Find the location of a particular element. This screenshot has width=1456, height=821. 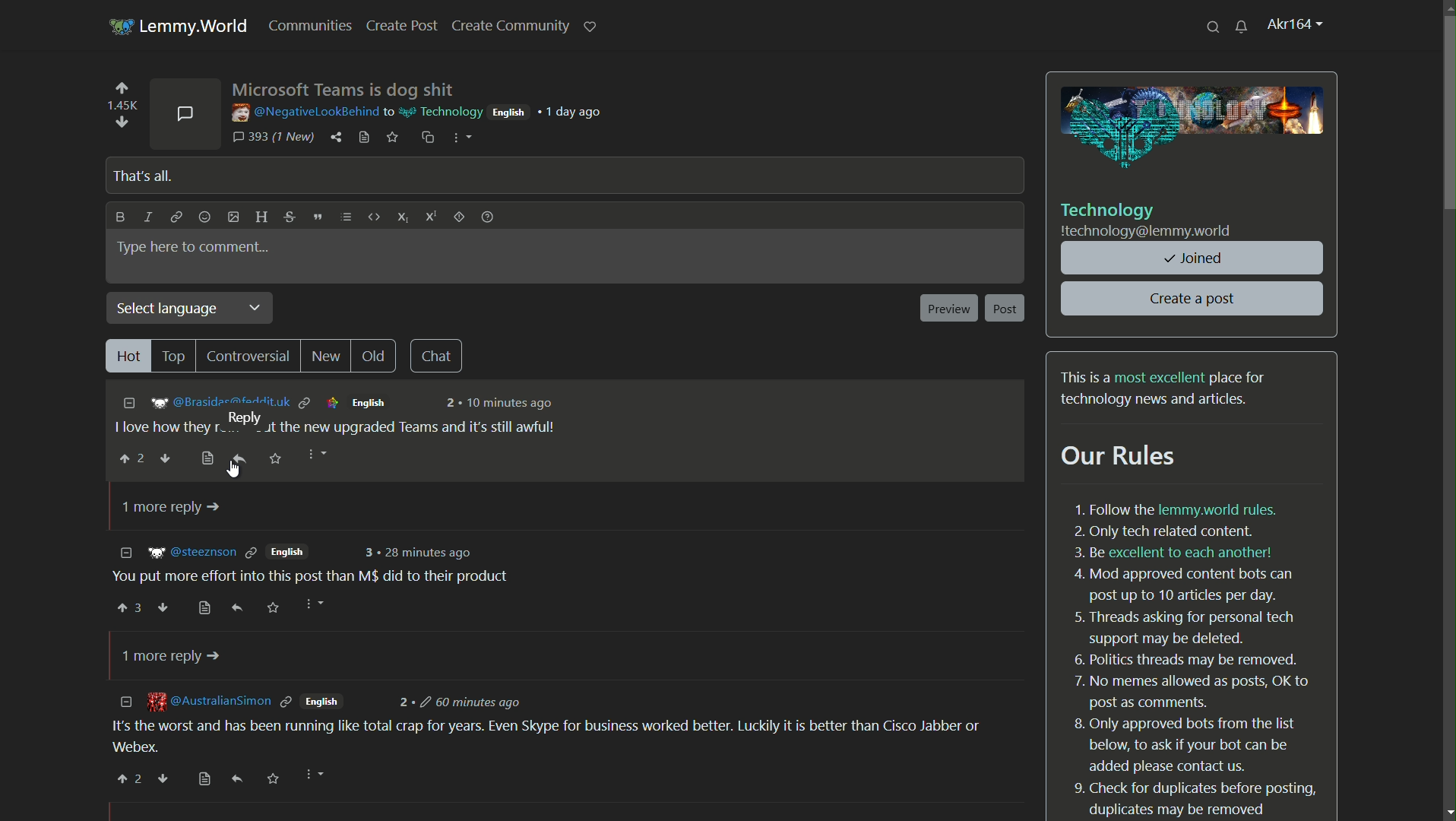

comment-1 is located at coordinates (347, 414).